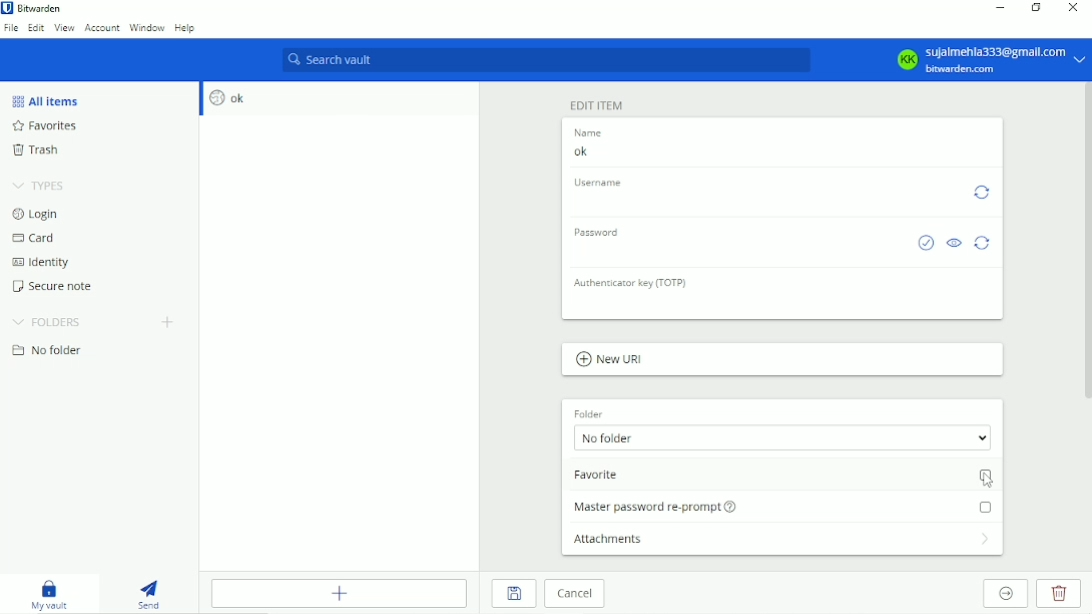  I want to click on Close, so click(1073, 8).